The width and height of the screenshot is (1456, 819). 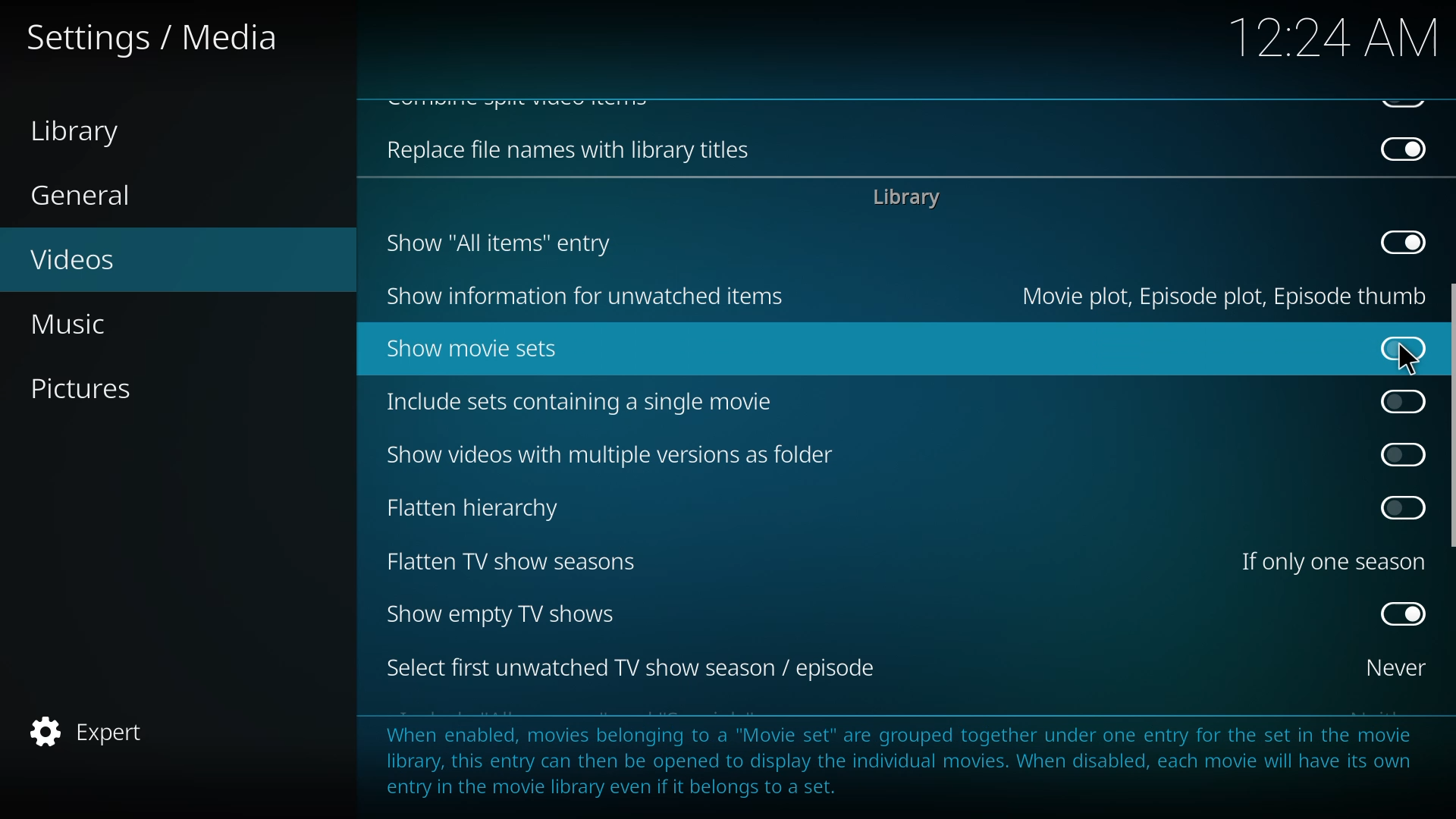 What do you see at coordinates (89, 388) in the screenshot?
I see `pictures` at bounding box center [89, 388].